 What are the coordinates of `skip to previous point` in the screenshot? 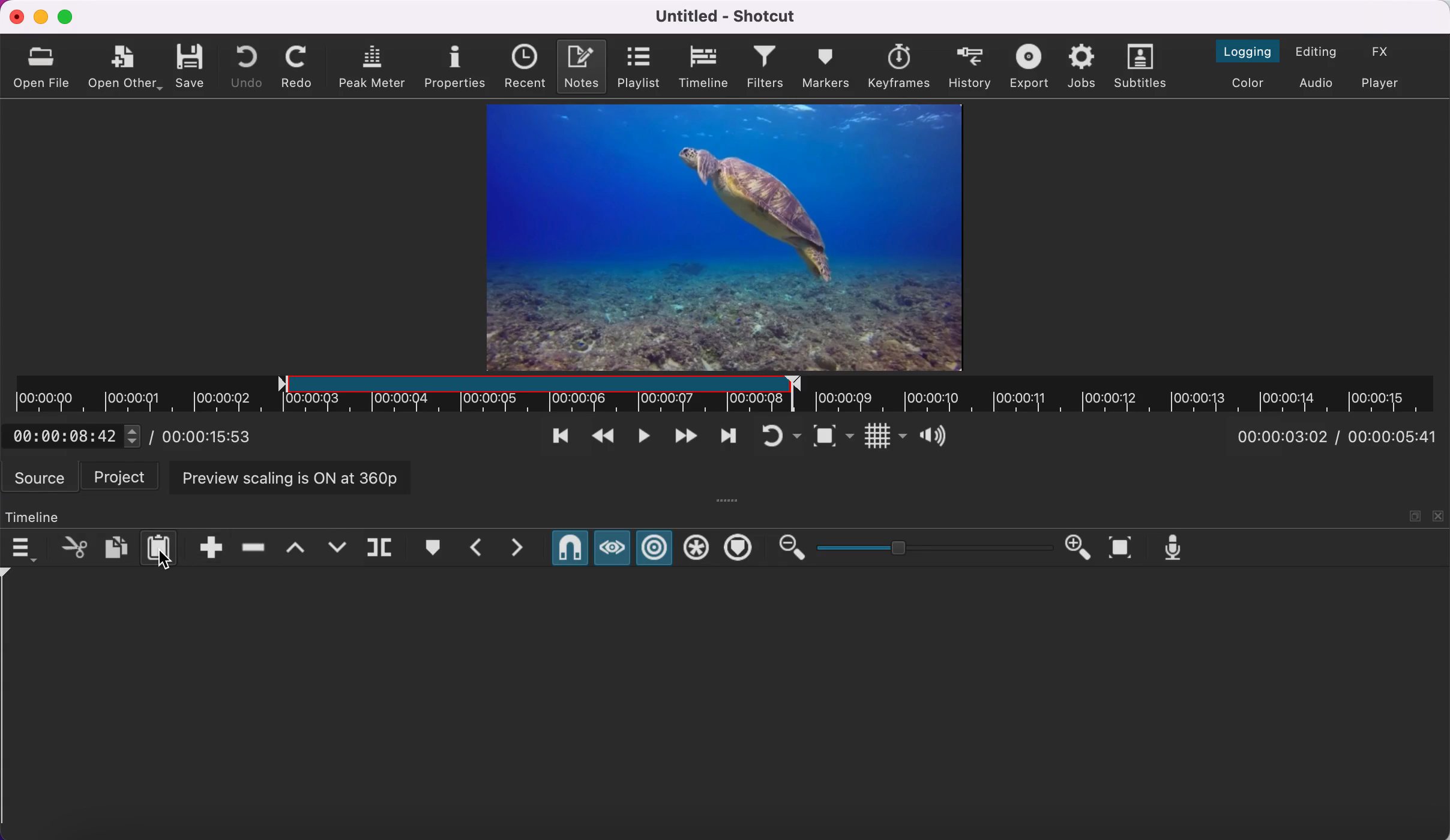 It's located at (560, 434).